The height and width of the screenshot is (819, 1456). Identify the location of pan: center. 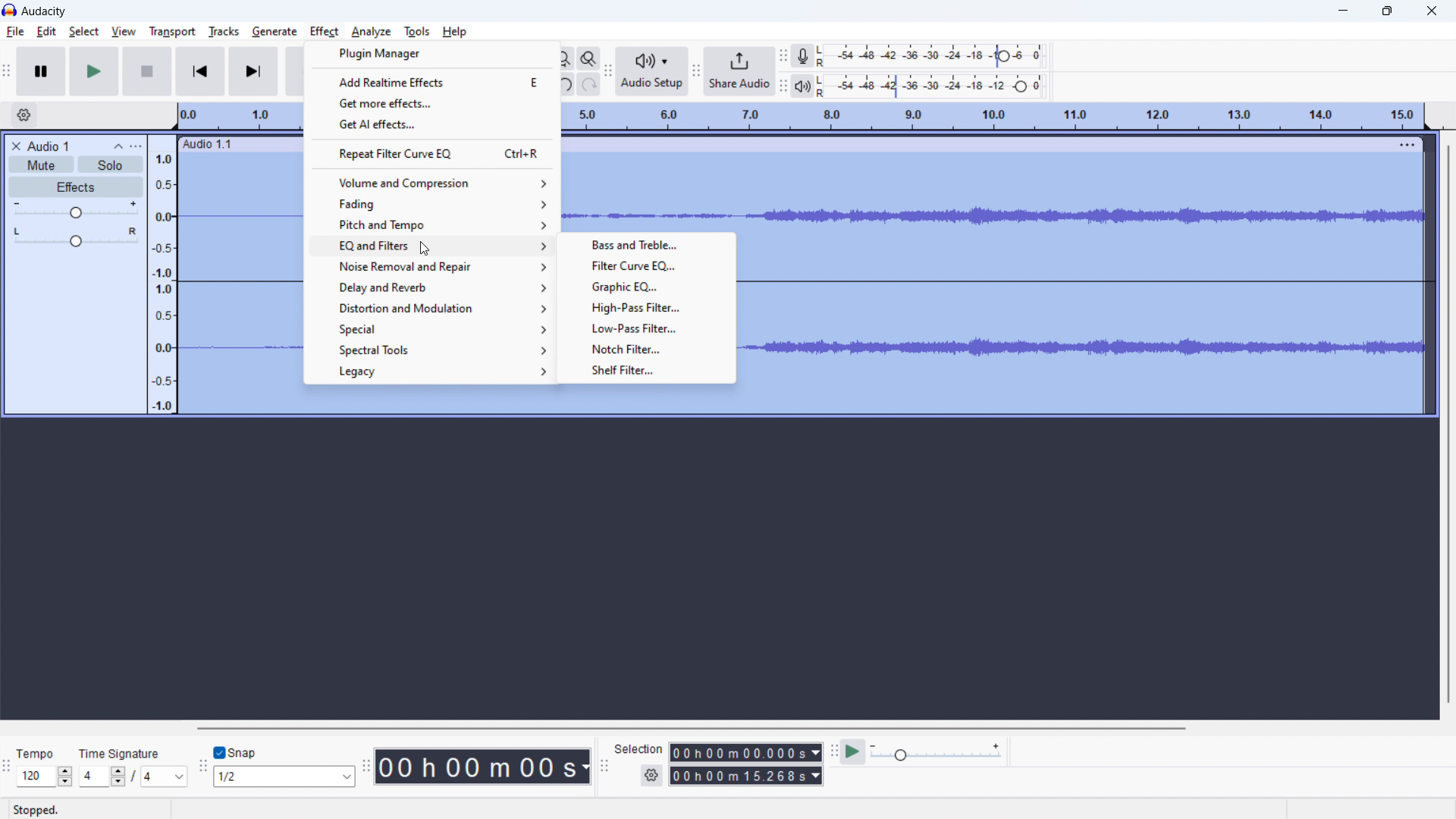
(76, 237).